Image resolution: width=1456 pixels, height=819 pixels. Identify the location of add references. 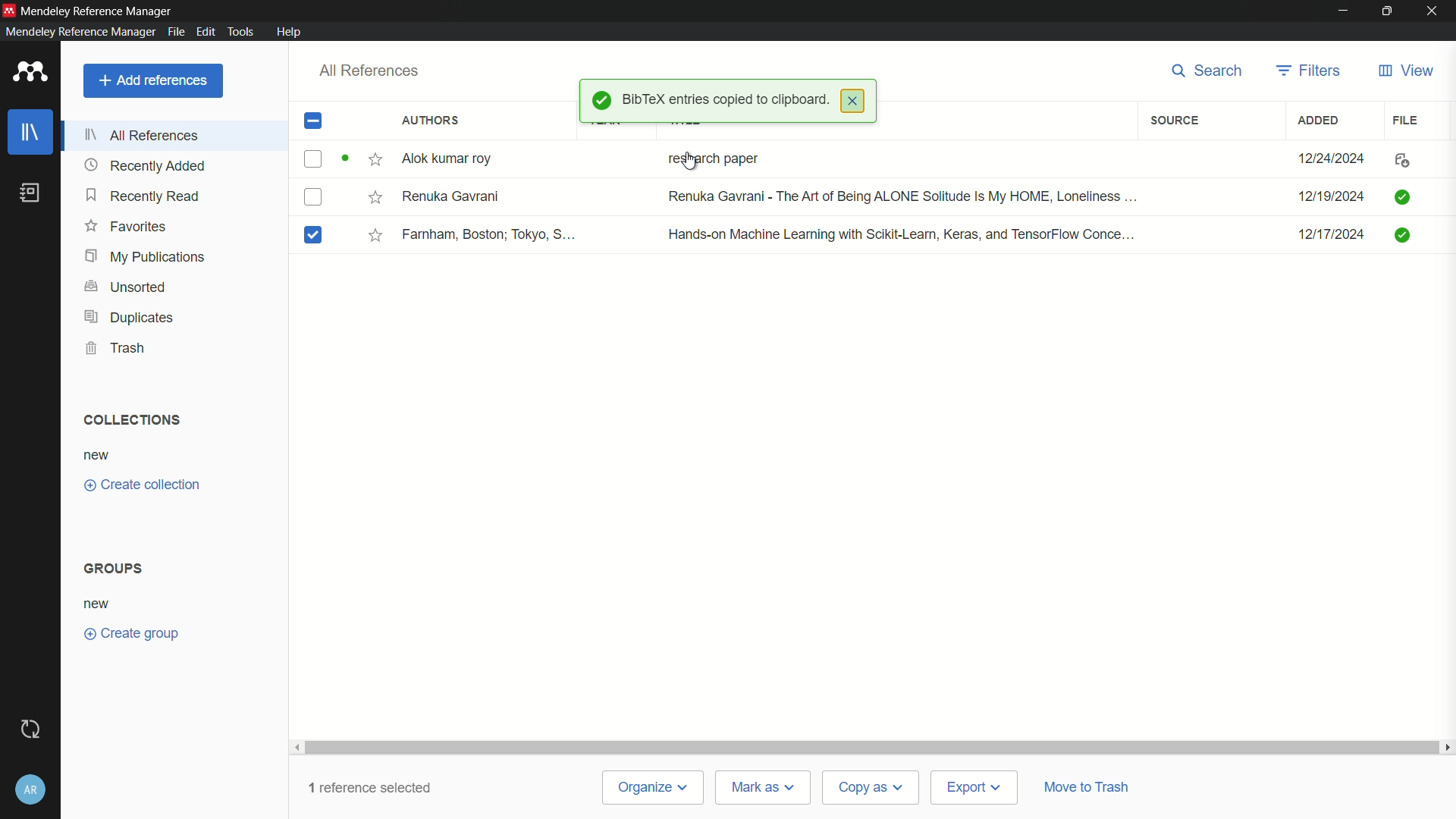
(152, 80).